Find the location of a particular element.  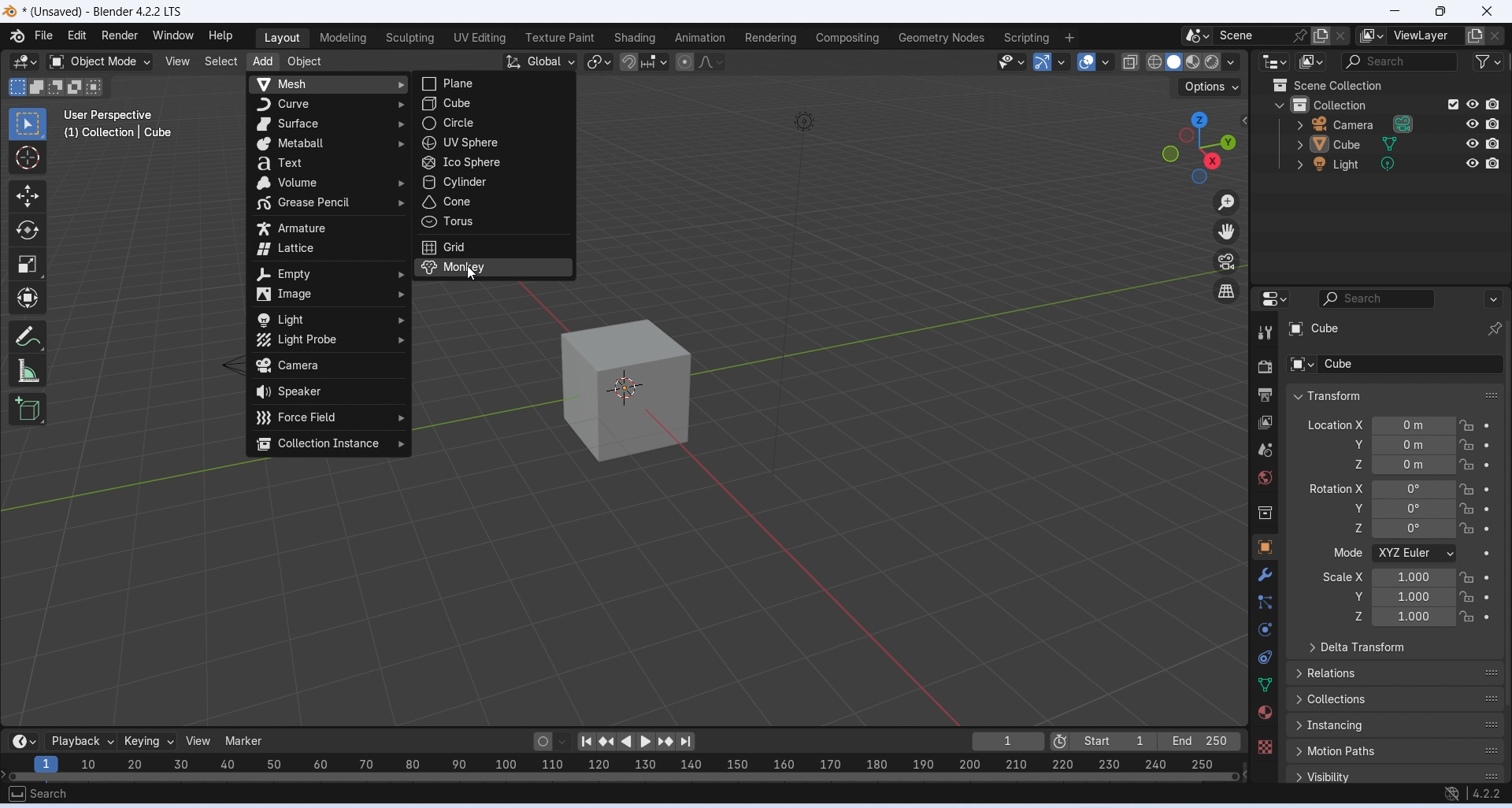

disable in renders is located at coordinates (1492, 143).